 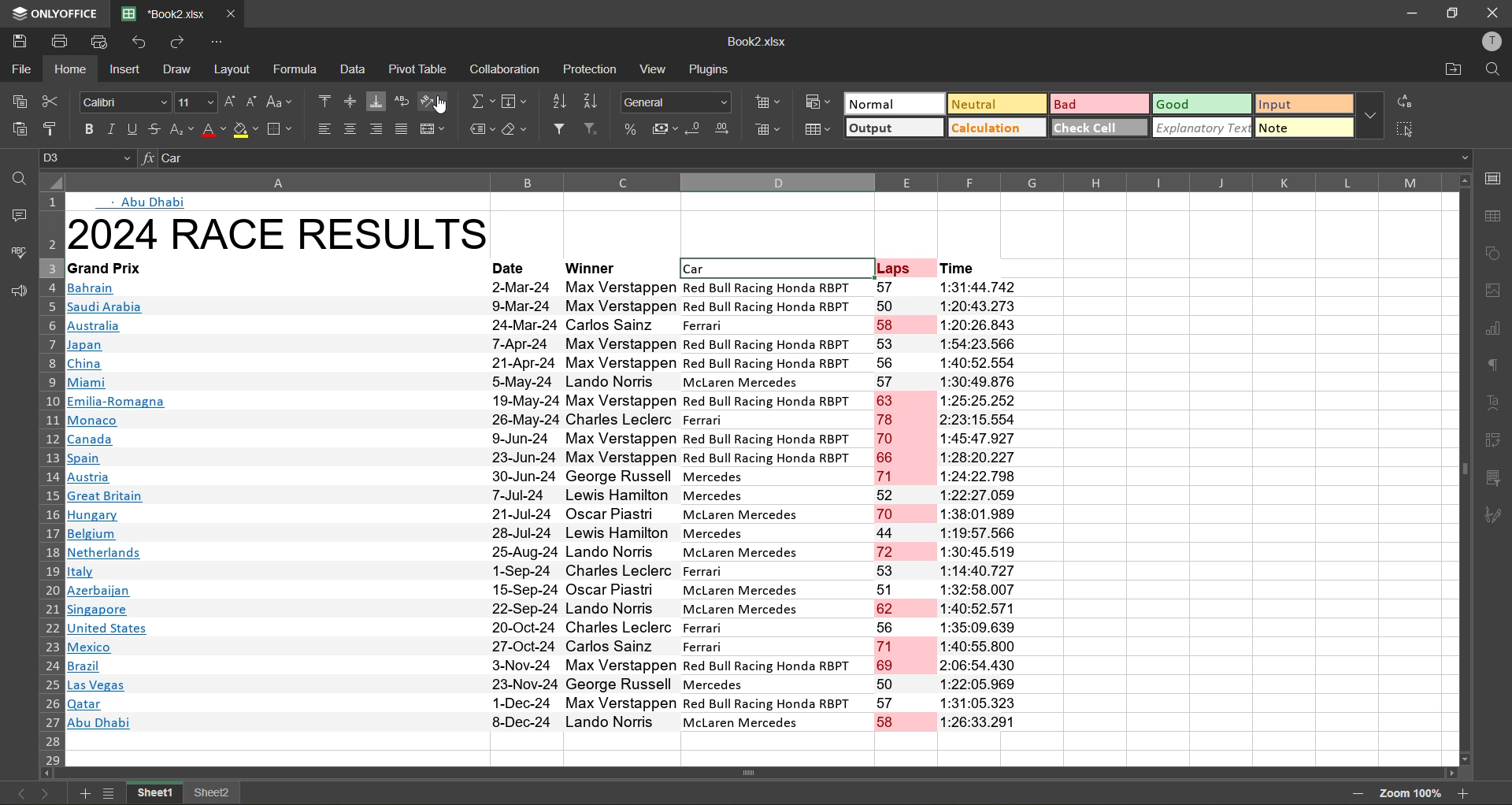 I want to click on accounting, so click(x=663, y=130).